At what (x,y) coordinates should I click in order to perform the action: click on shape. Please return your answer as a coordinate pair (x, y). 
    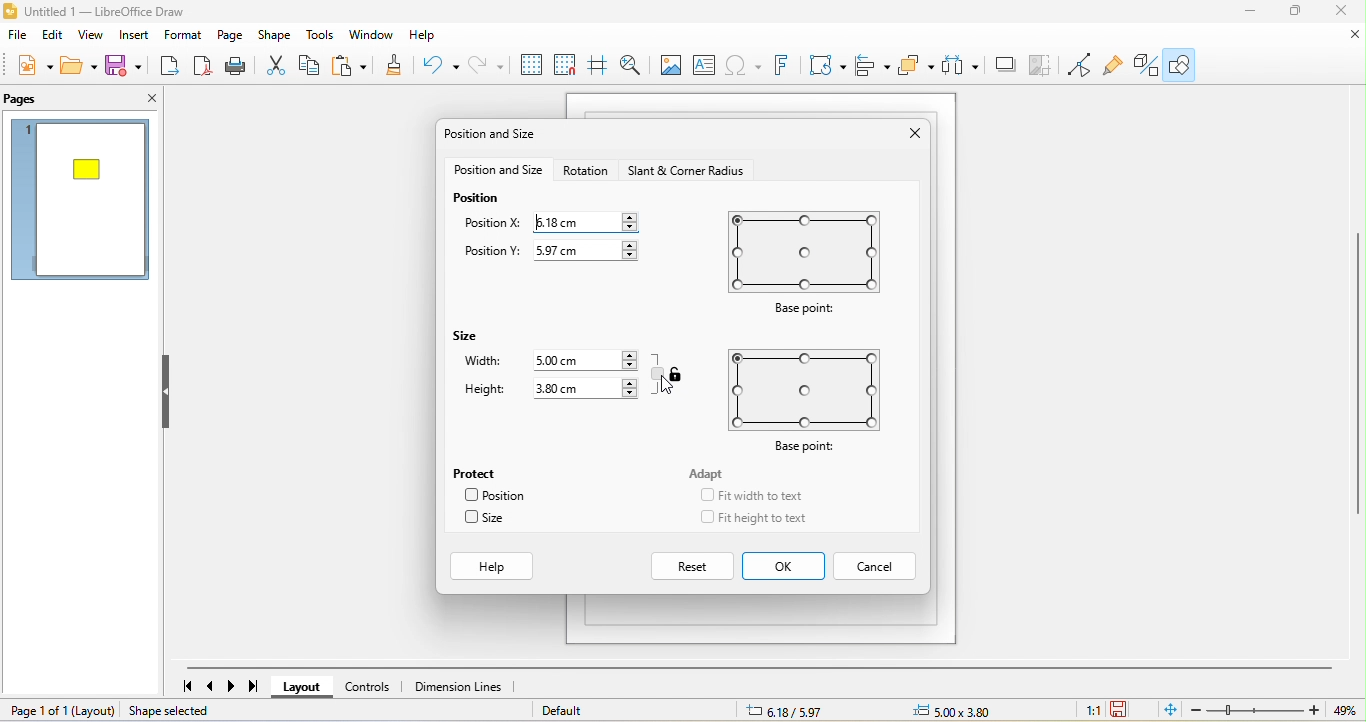
    Looking at the image, I should click on (273, 37).